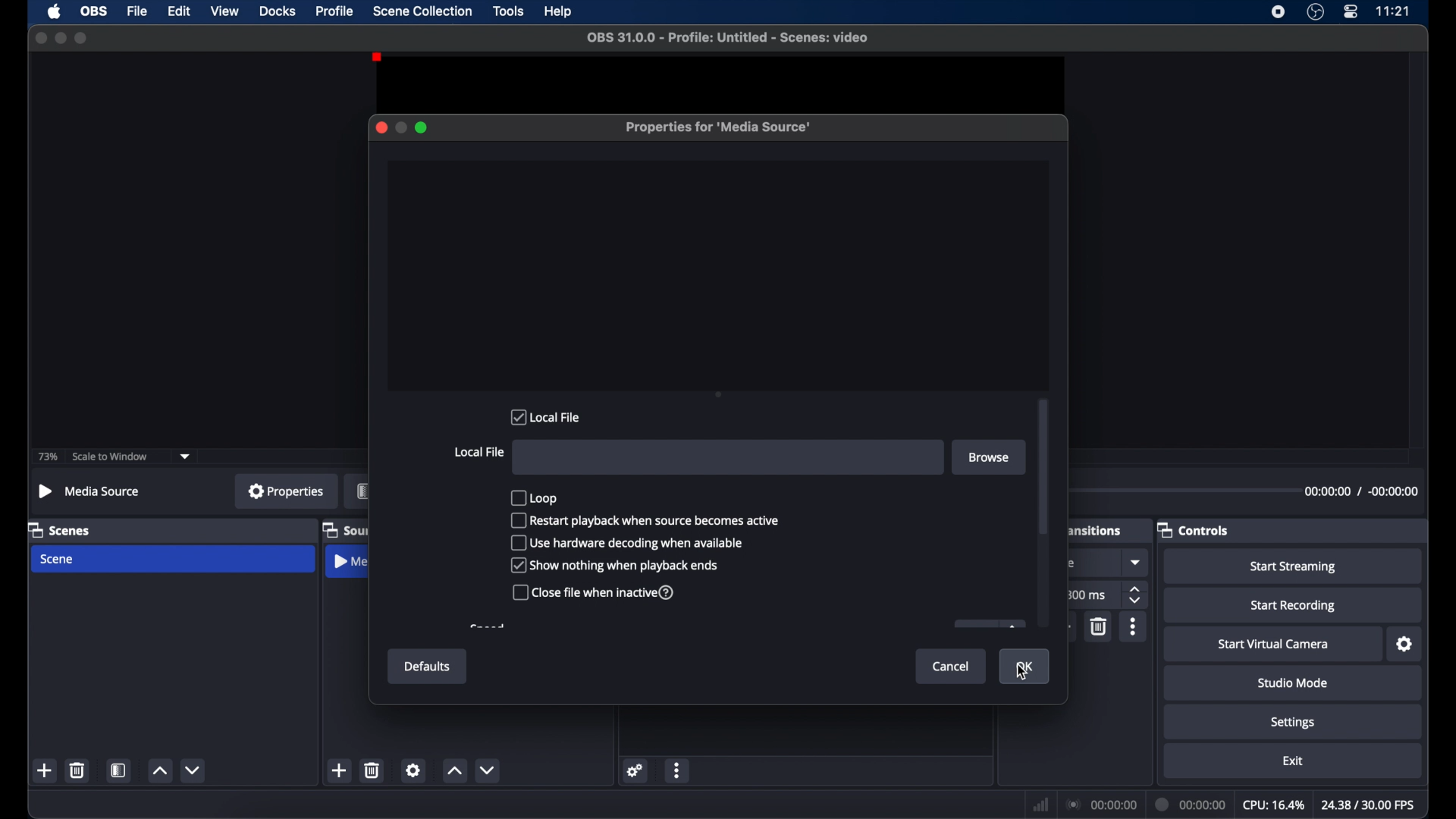 The height and width of the screenshot is (819, 1456). Describe the element at coordinates (287, 491) in the screenshot. I see `properties` at that location.